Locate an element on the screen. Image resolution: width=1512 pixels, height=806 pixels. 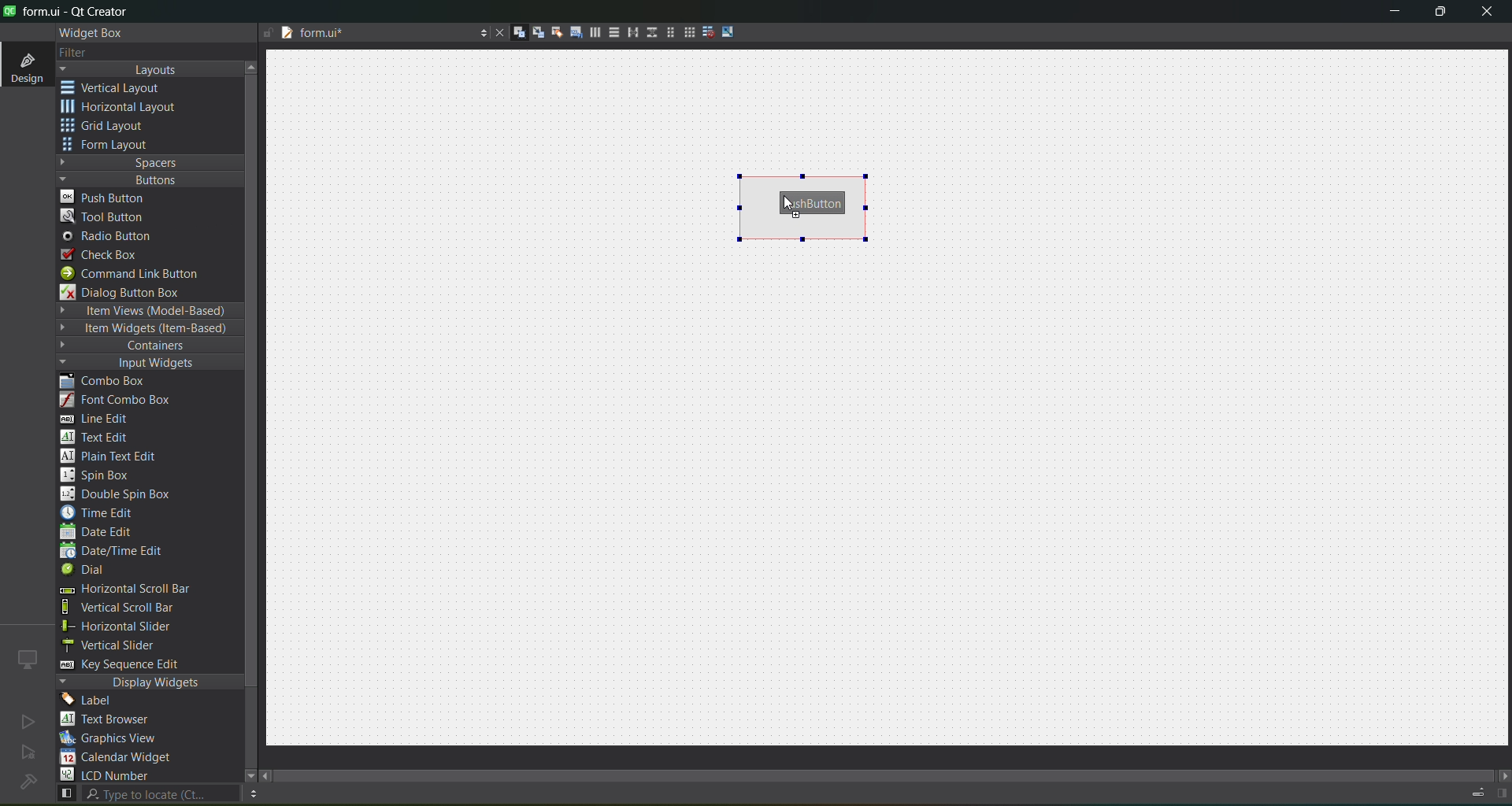
label is located at coordinates (91, 701).